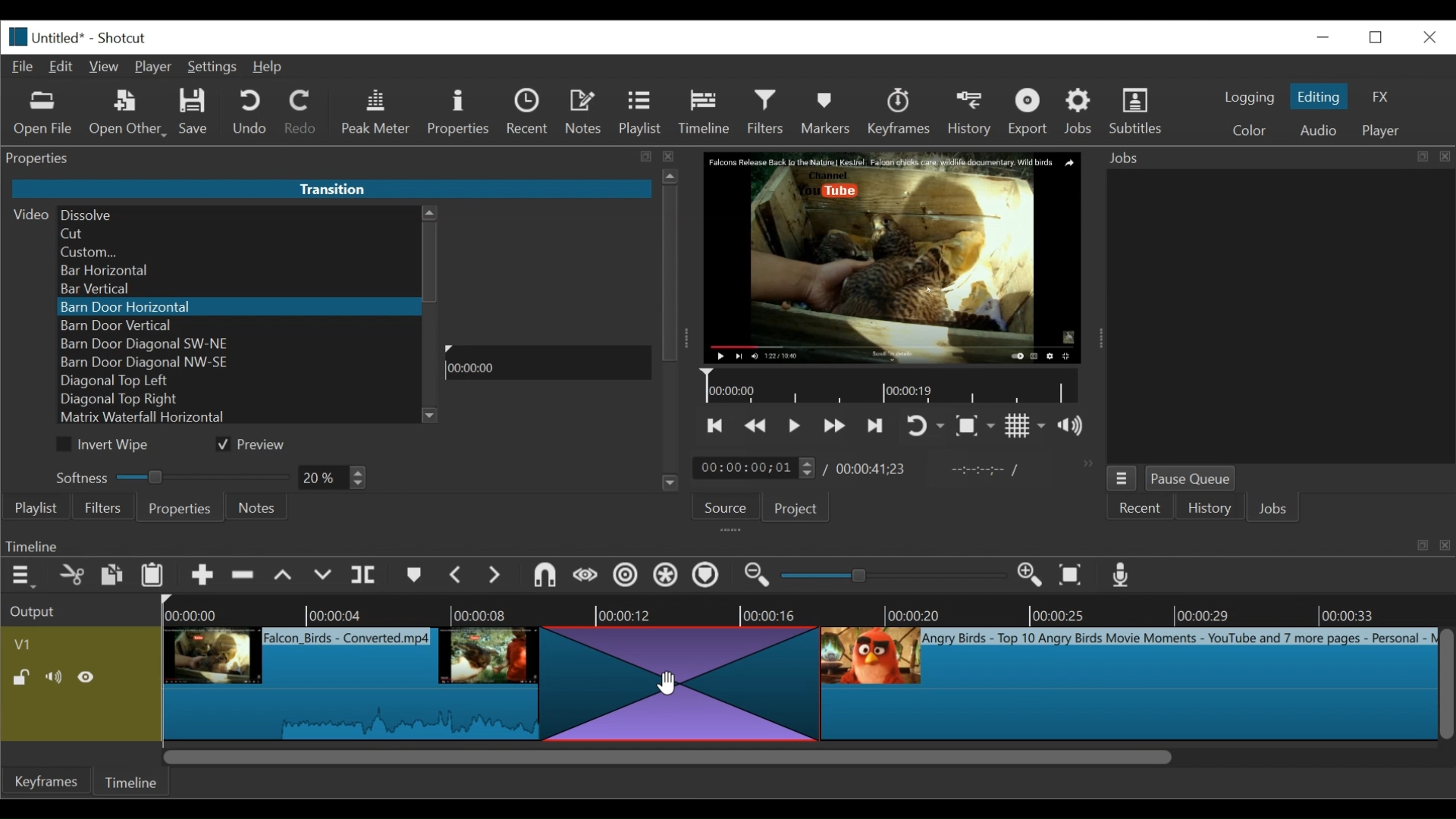 Image resolution: width=1456 pixels, height=819 pixels. I want to click on Recent, so click(1145, 508).